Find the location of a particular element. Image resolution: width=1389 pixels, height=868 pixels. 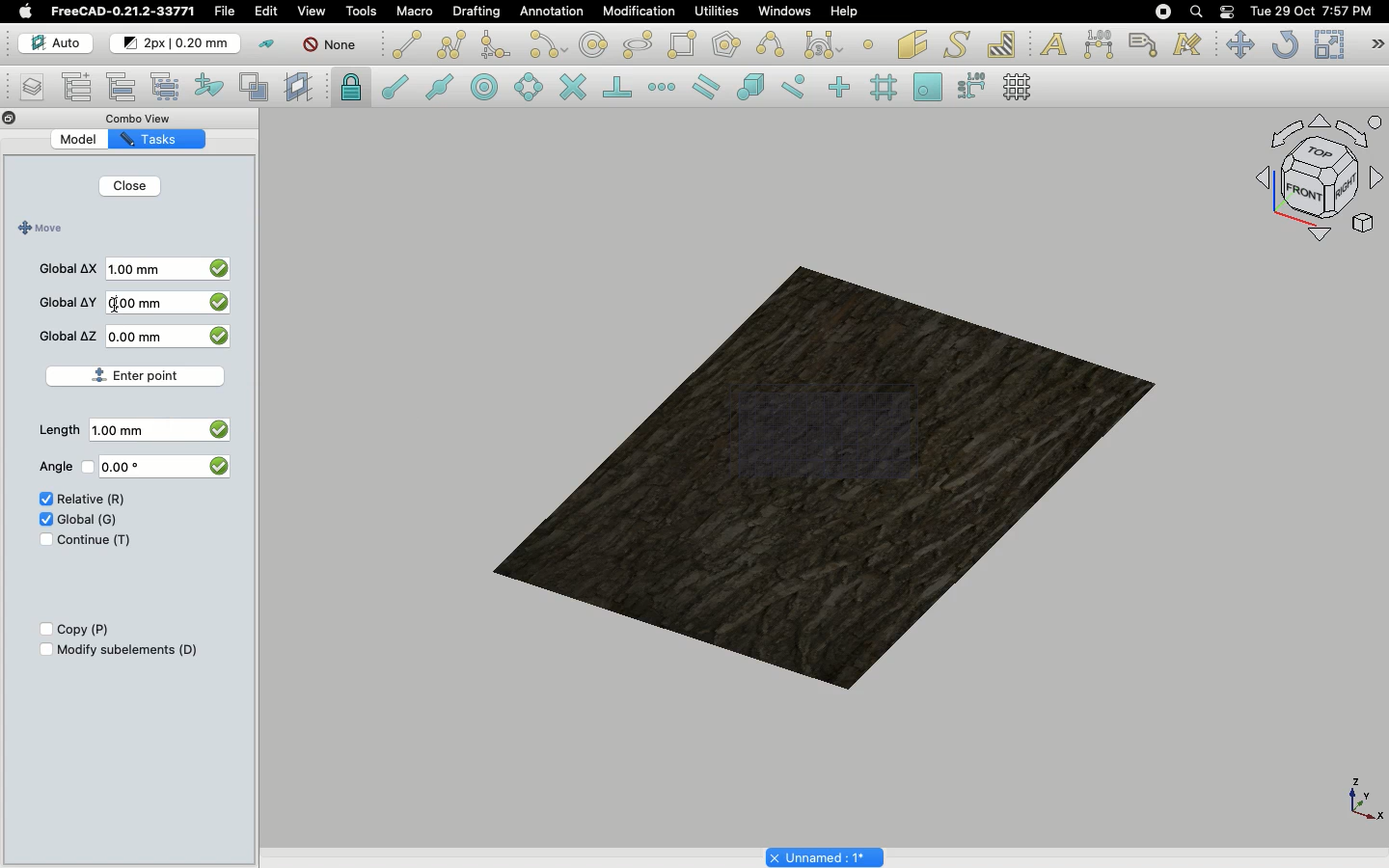

Modify subelements is located at coordinates (128, 649).